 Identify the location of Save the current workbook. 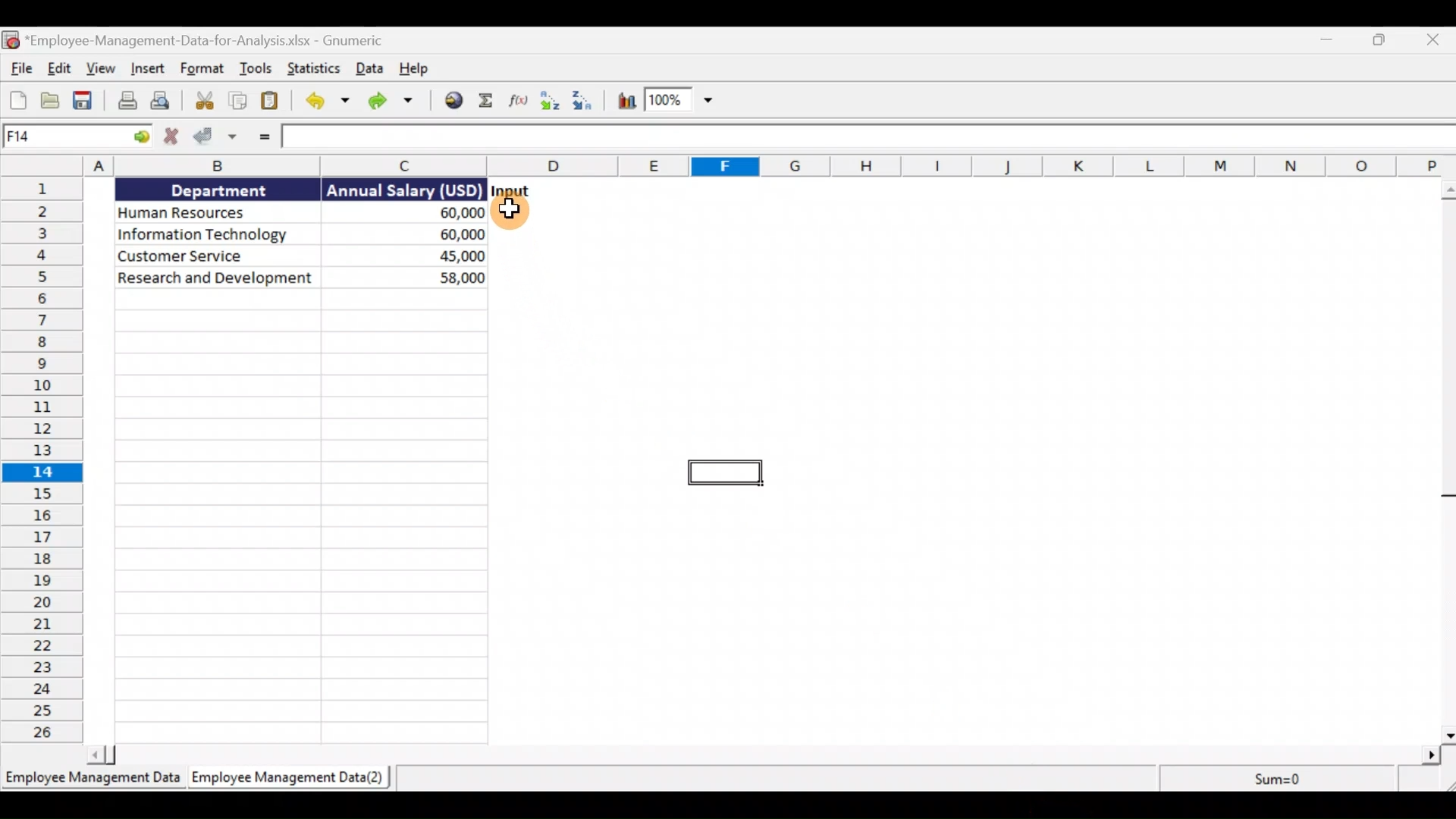
(84, 102).